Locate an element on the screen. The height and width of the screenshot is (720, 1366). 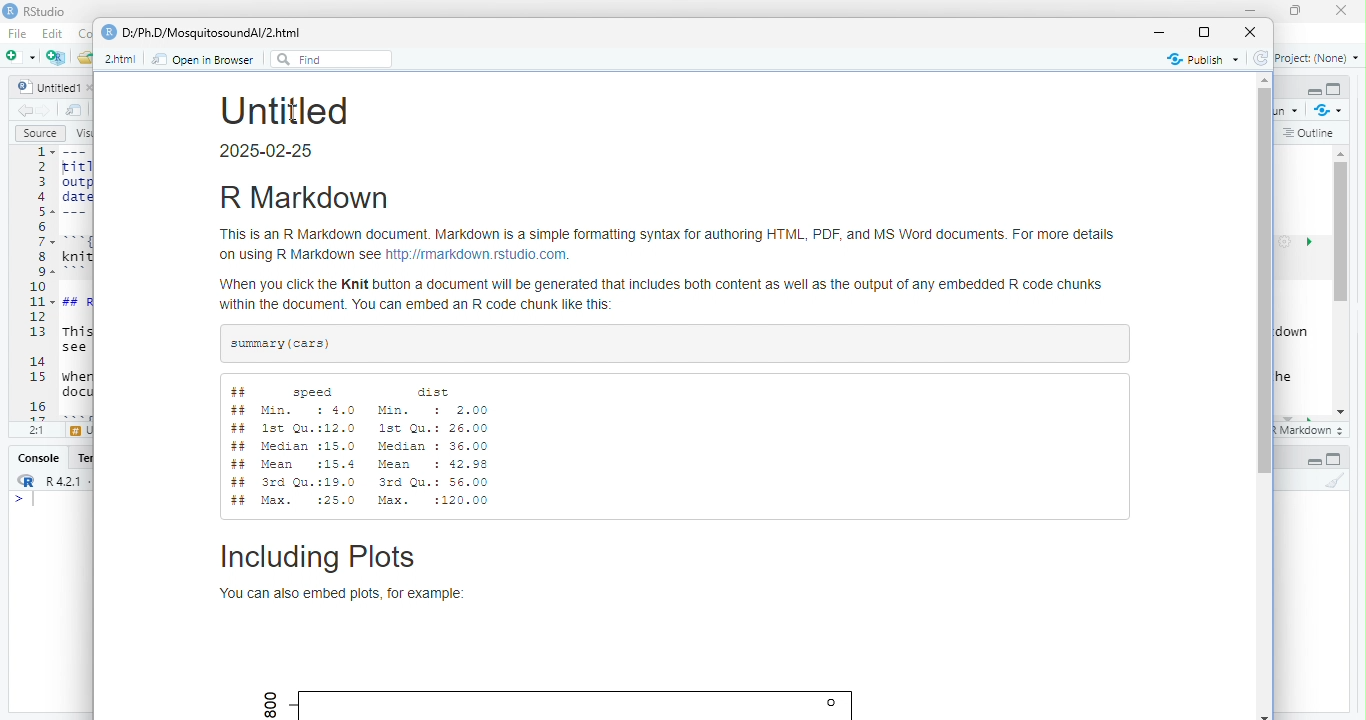
logo is located at coordinates (109, 32).